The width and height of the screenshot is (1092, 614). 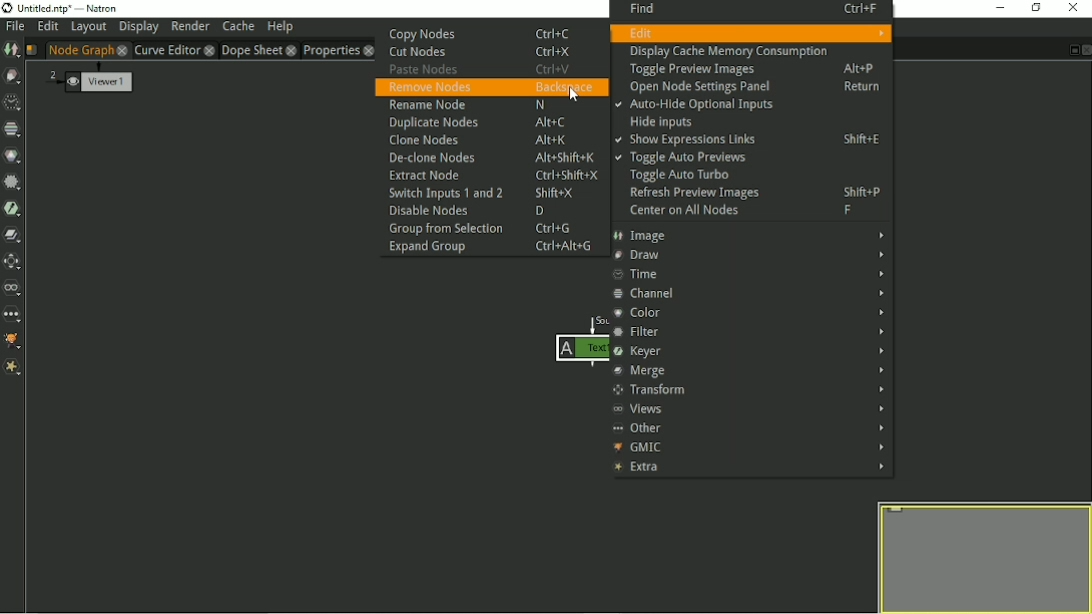 I want to click on Float pane, so click(x=1072, y=50).